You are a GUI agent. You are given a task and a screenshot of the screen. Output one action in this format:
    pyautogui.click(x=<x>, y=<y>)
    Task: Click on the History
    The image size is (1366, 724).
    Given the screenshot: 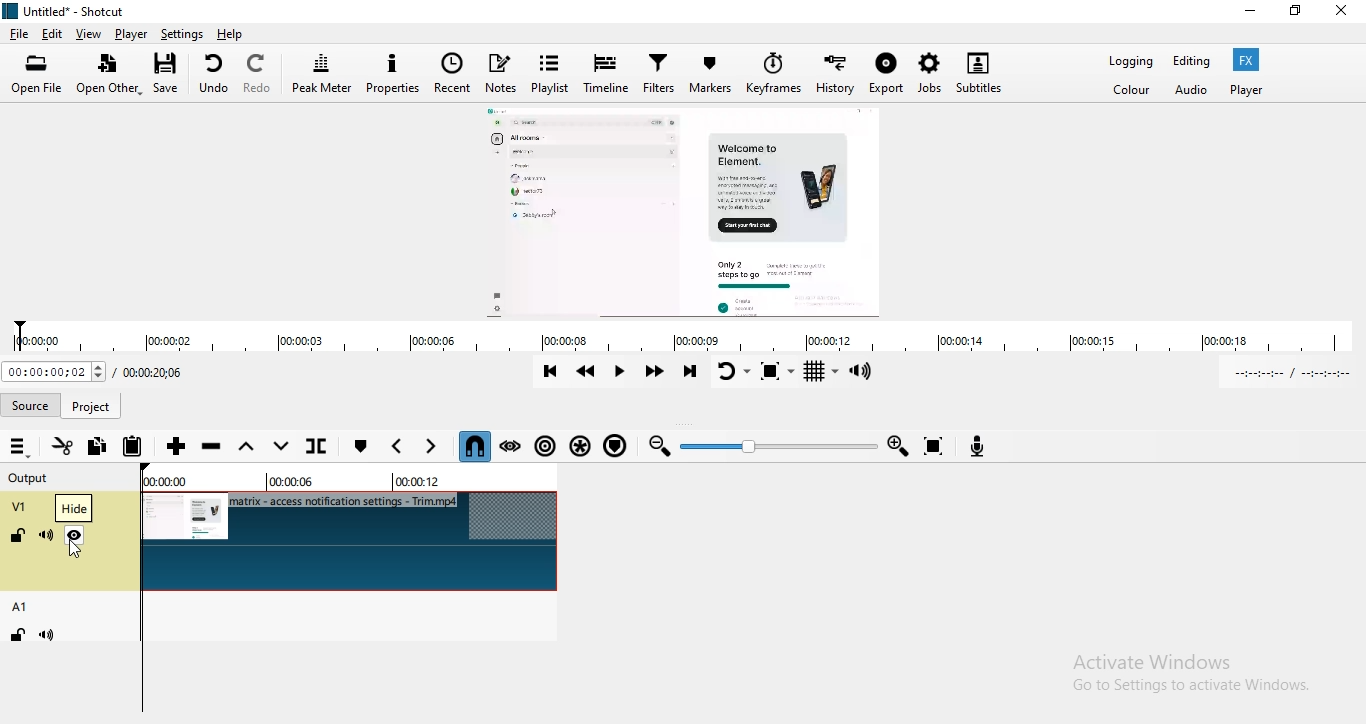 What is the action you would take?
    pyautogui.click(x=835, y=72)
    